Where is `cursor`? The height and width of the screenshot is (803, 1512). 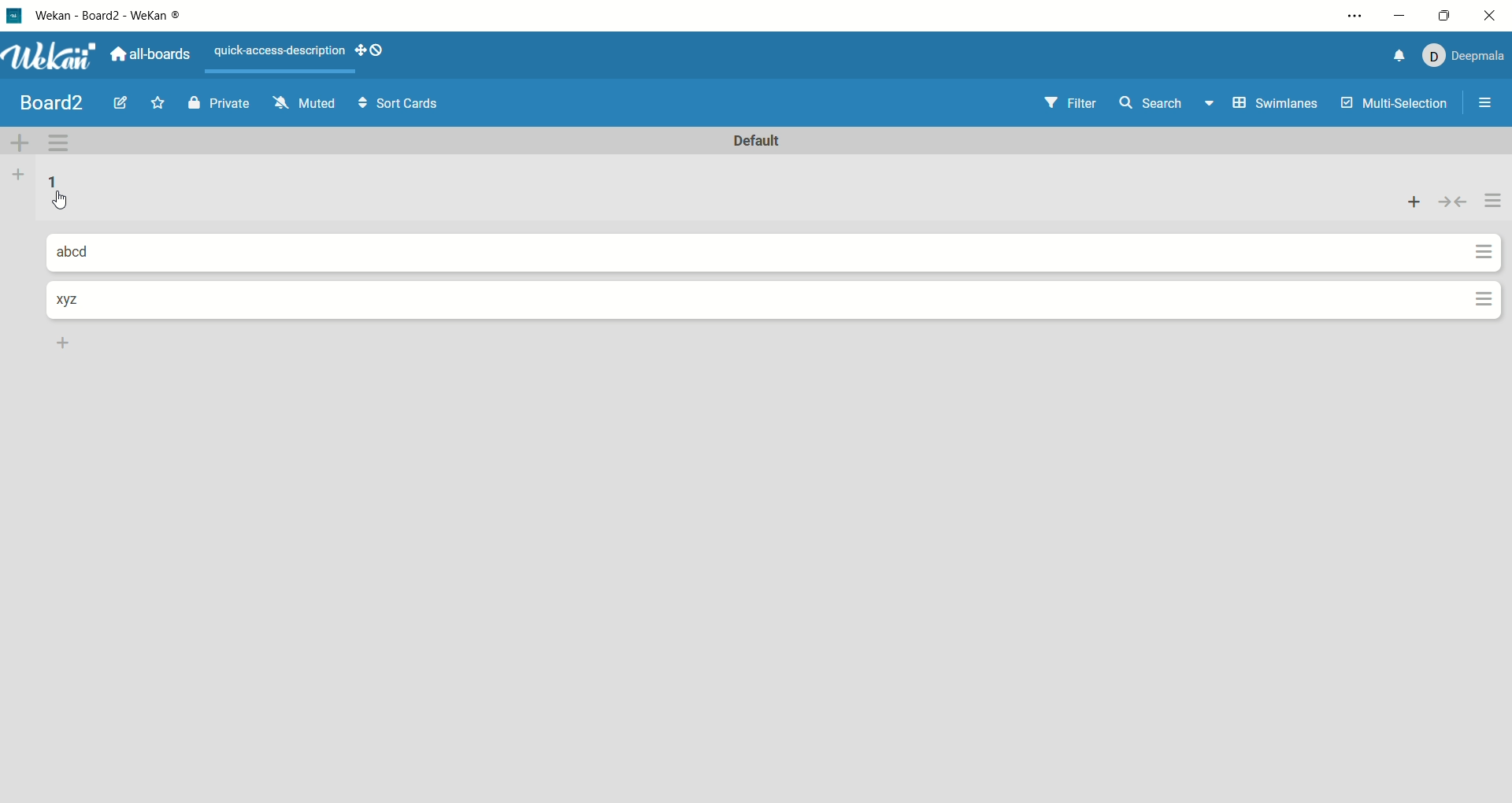 cursor is located at coordinates (57, 202).